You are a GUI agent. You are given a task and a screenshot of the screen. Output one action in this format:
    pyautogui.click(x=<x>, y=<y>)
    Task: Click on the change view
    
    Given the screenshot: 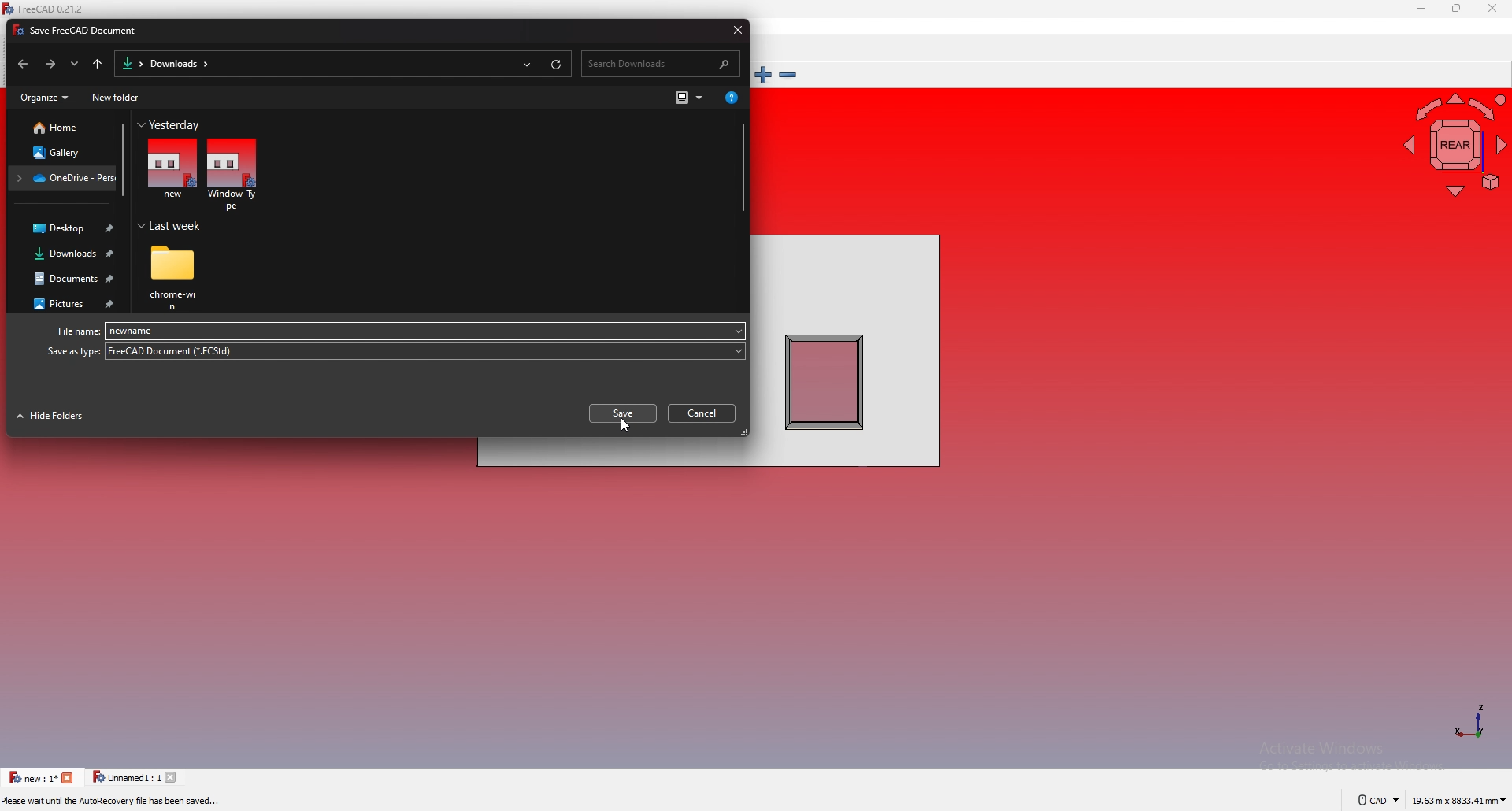 What is the action you would take?
    pyautogui.click(x=687, y=97)
    